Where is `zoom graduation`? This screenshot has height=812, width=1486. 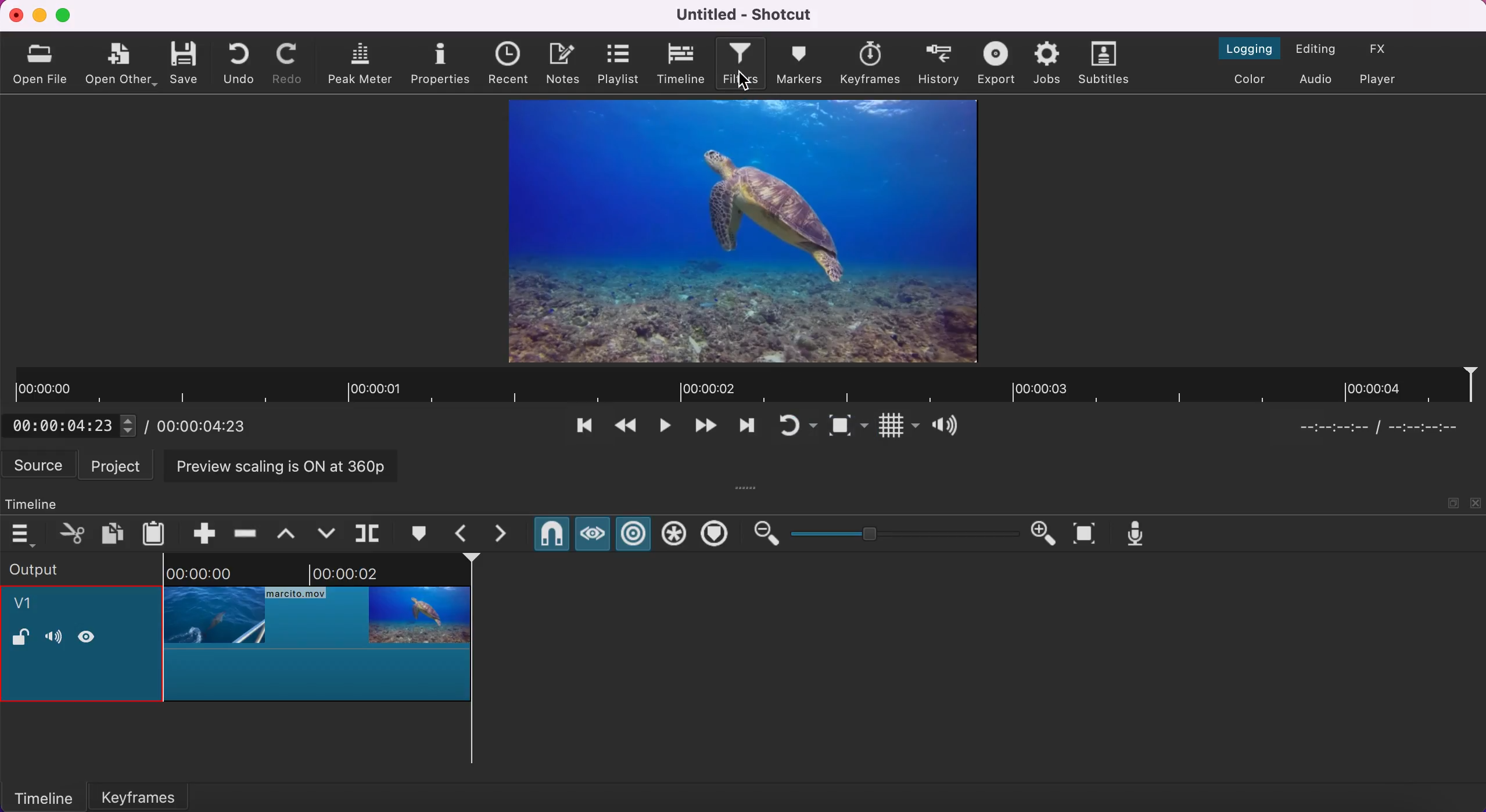 zoom graduation is located at coordinates (903, 534).